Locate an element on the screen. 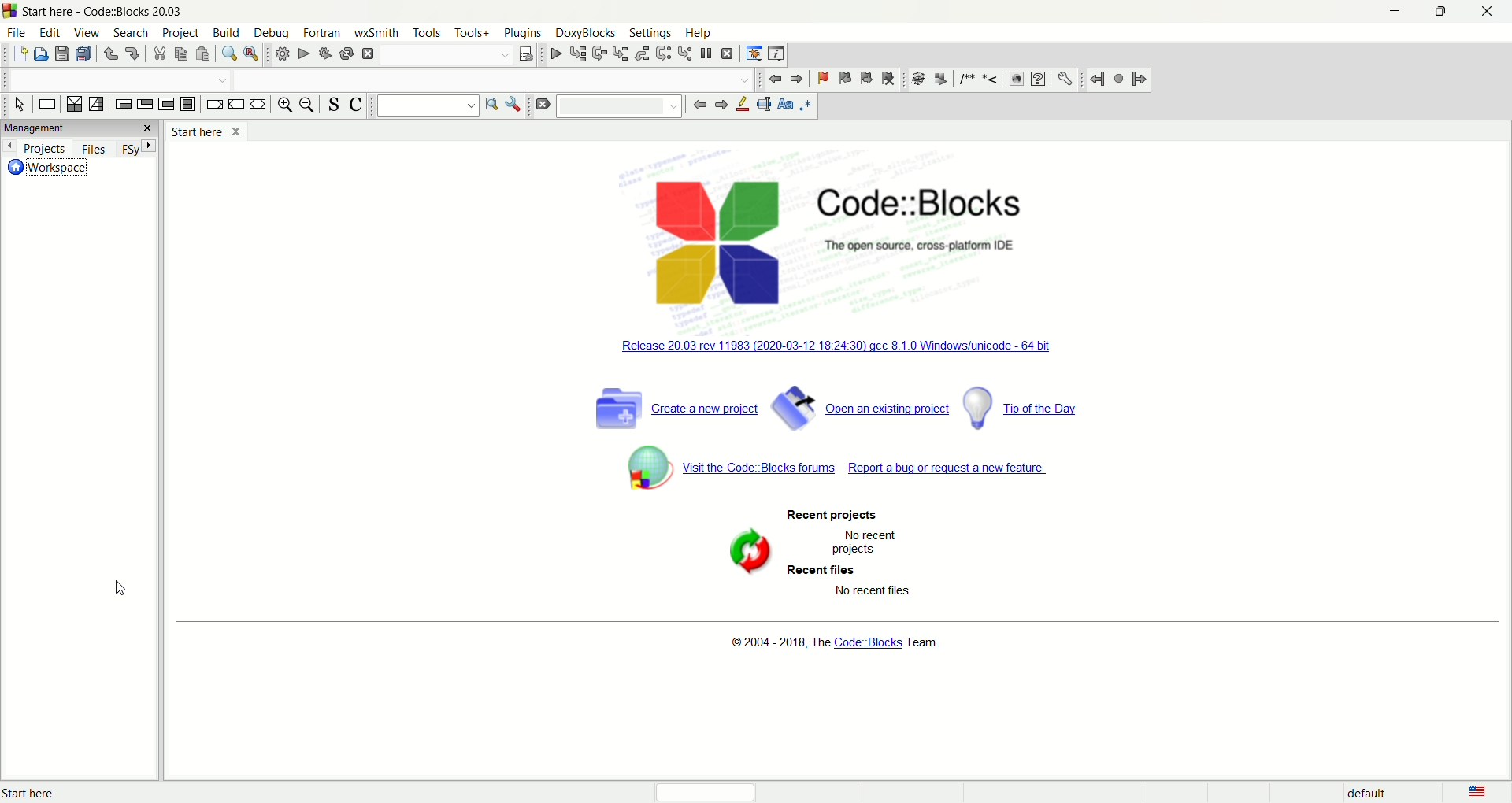 The width and height of the screenshot is (1512, 803). project is located at coordinates (180, 33).